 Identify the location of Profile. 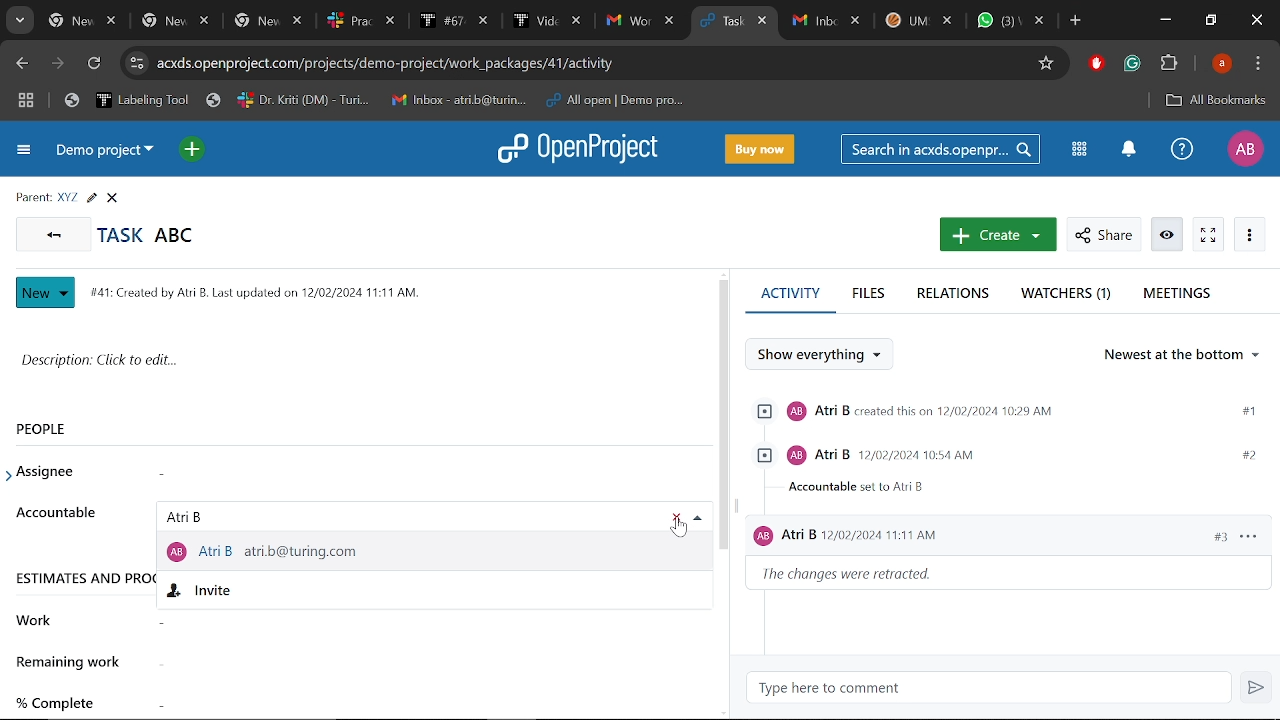
(1244, 148).